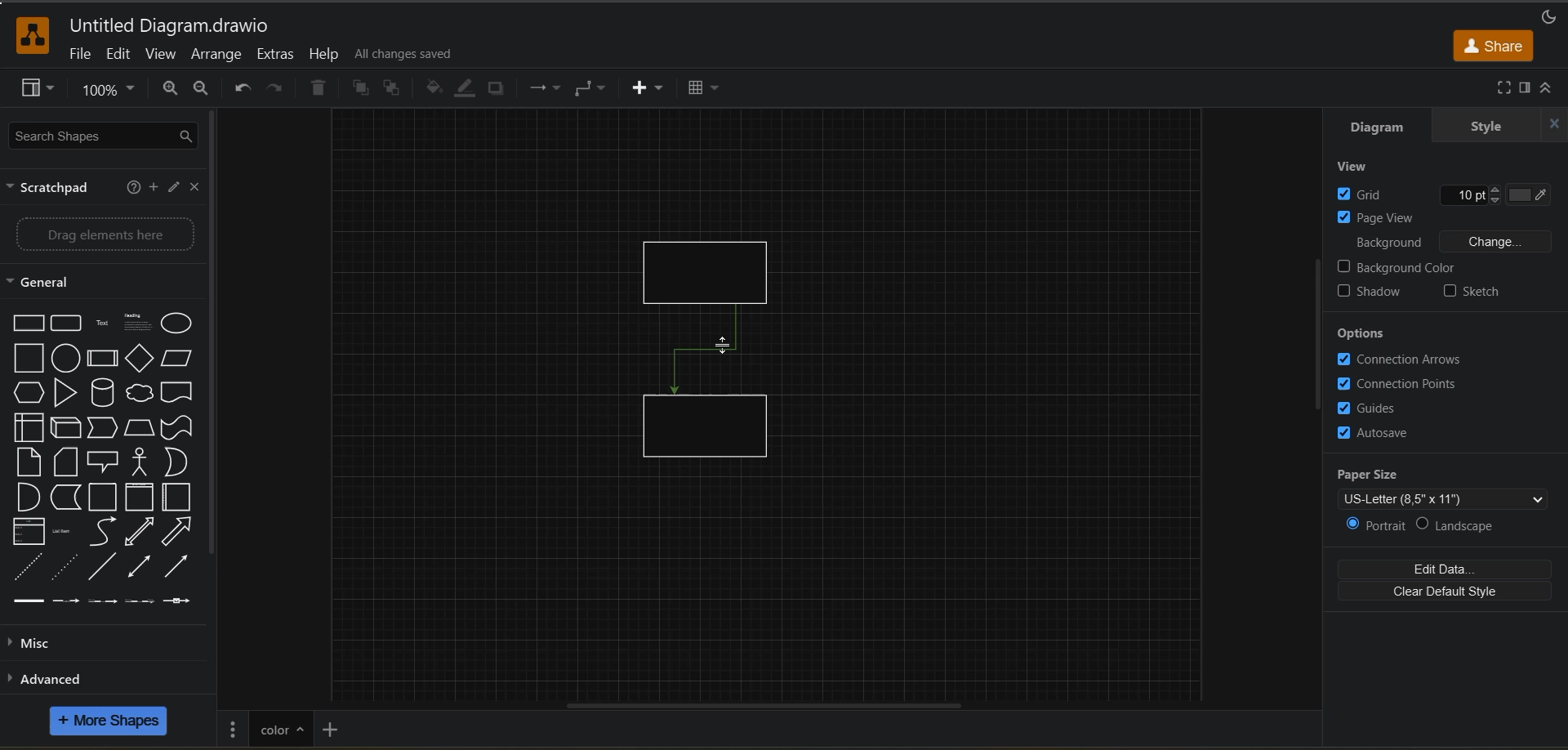 The height and width of the screenshot is (750, 1568). I want to click on AND, so click(27, 497).